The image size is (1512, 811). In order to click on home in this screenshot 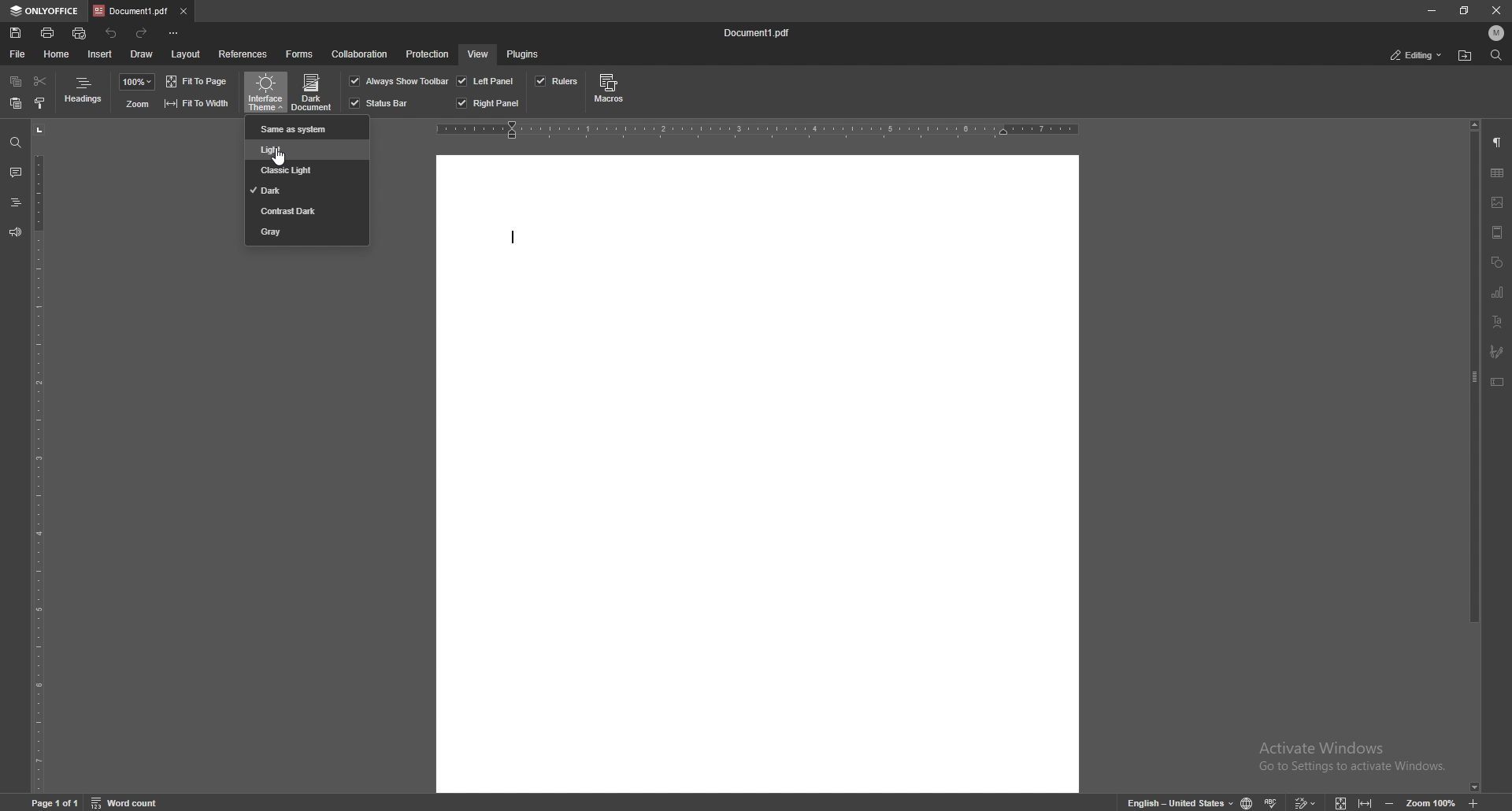, I will do `click(57, 55)`.